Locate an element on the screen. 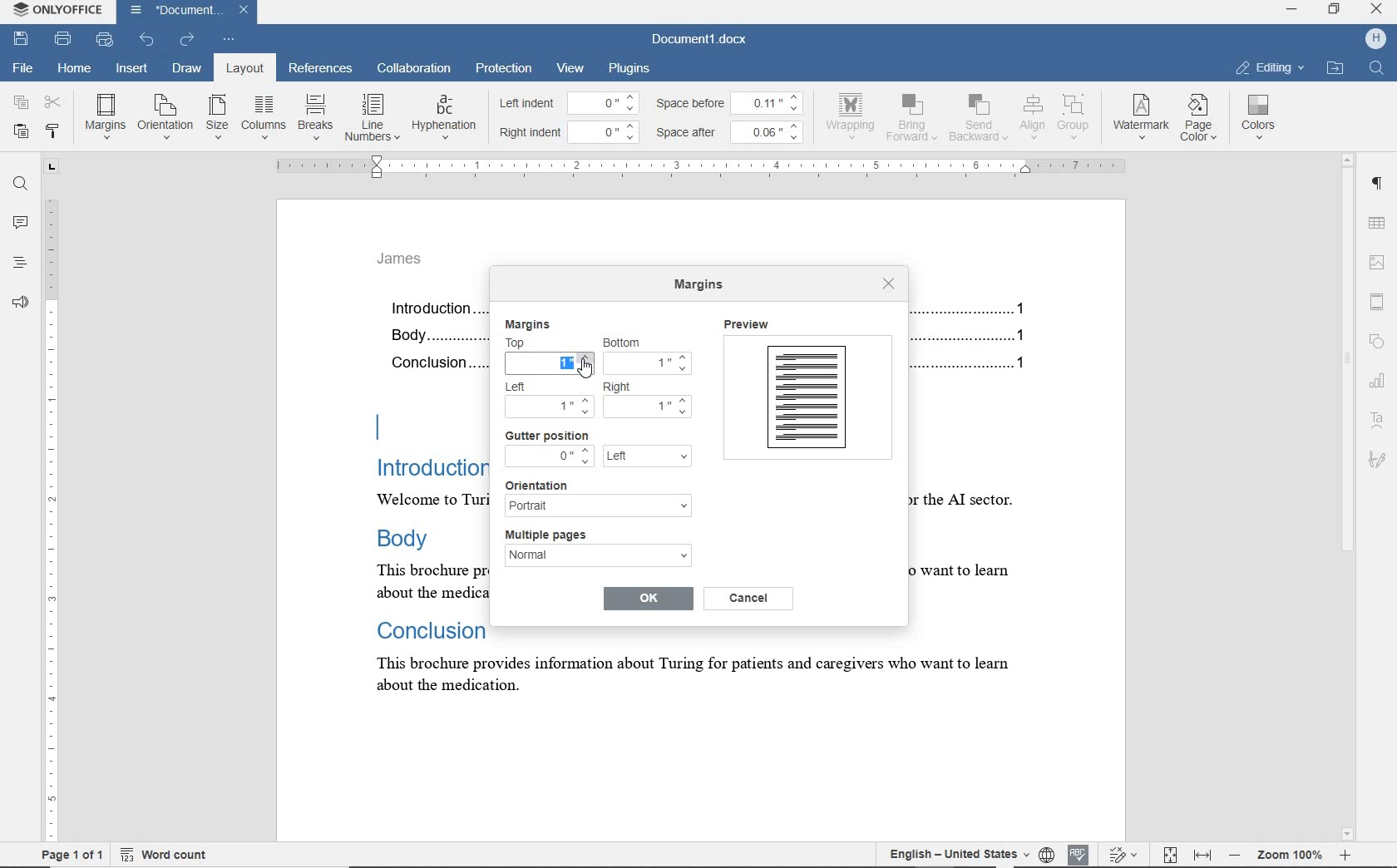 The width and height of the screenshot is (1397, 868). undo is located at coordinates (146, 40).